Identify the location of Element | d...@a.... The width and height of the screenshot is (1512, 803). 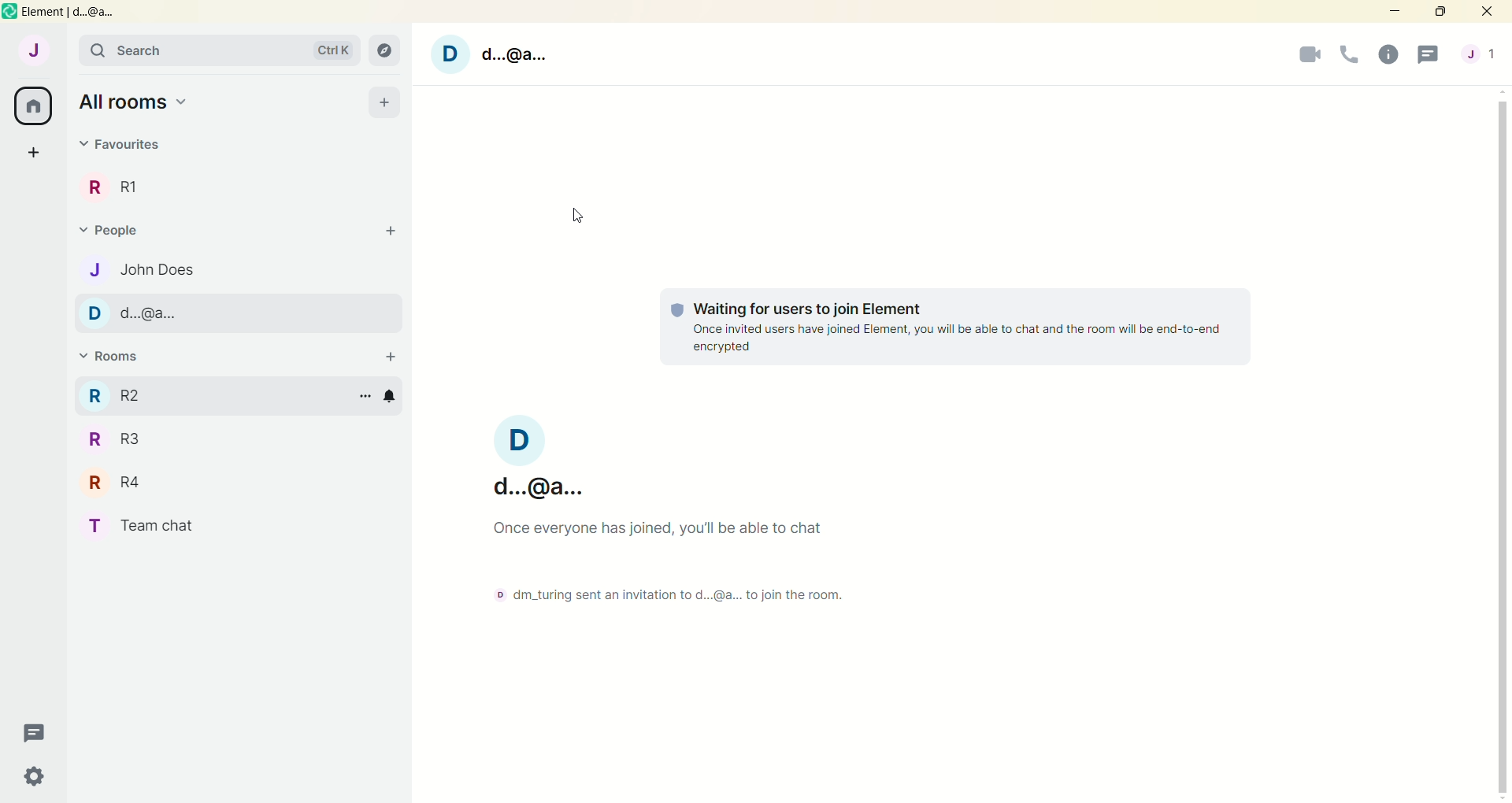
(65, 13).